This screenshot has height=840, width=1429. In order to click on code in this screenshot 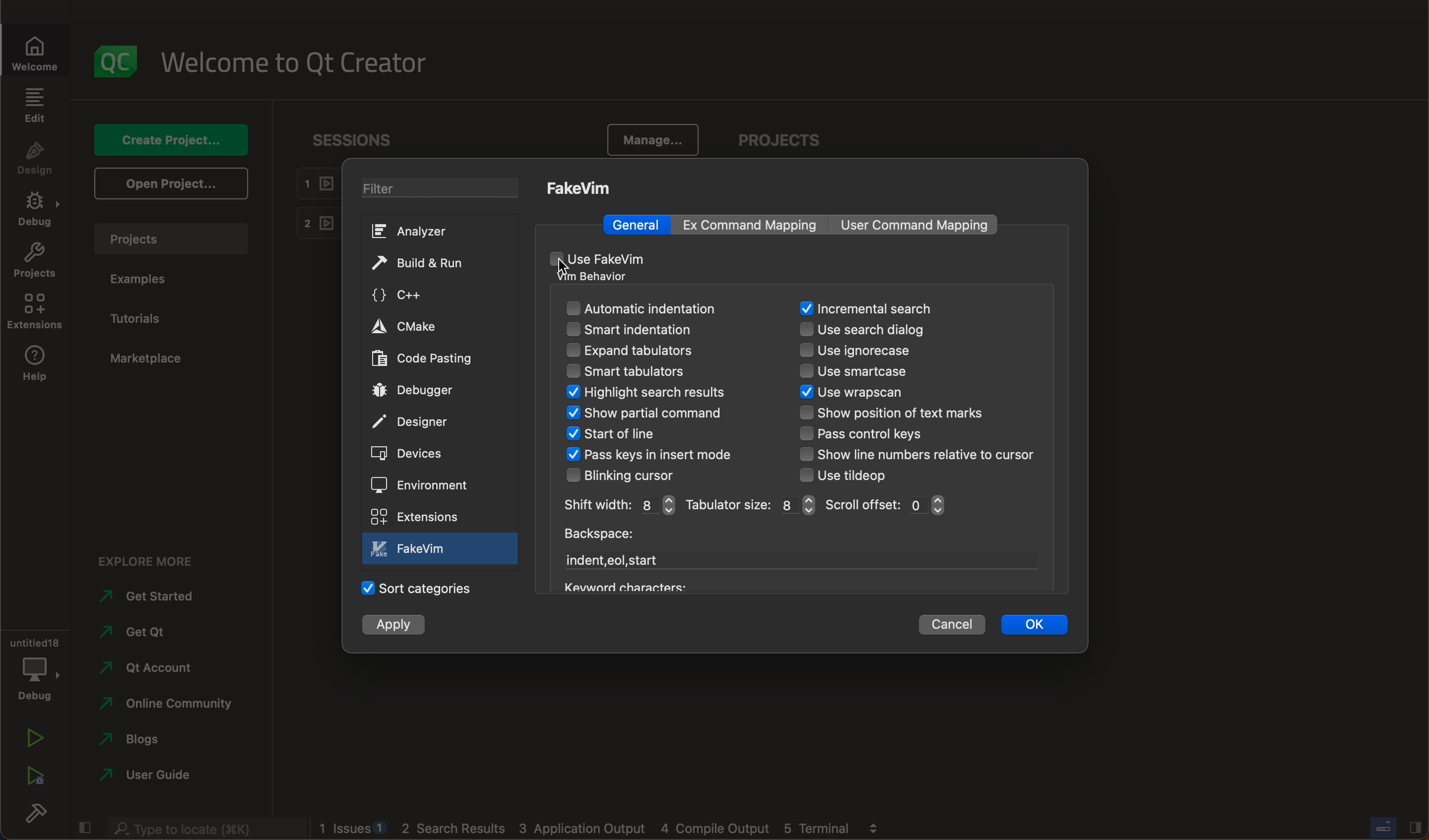, I will do `click(425, 359)`.